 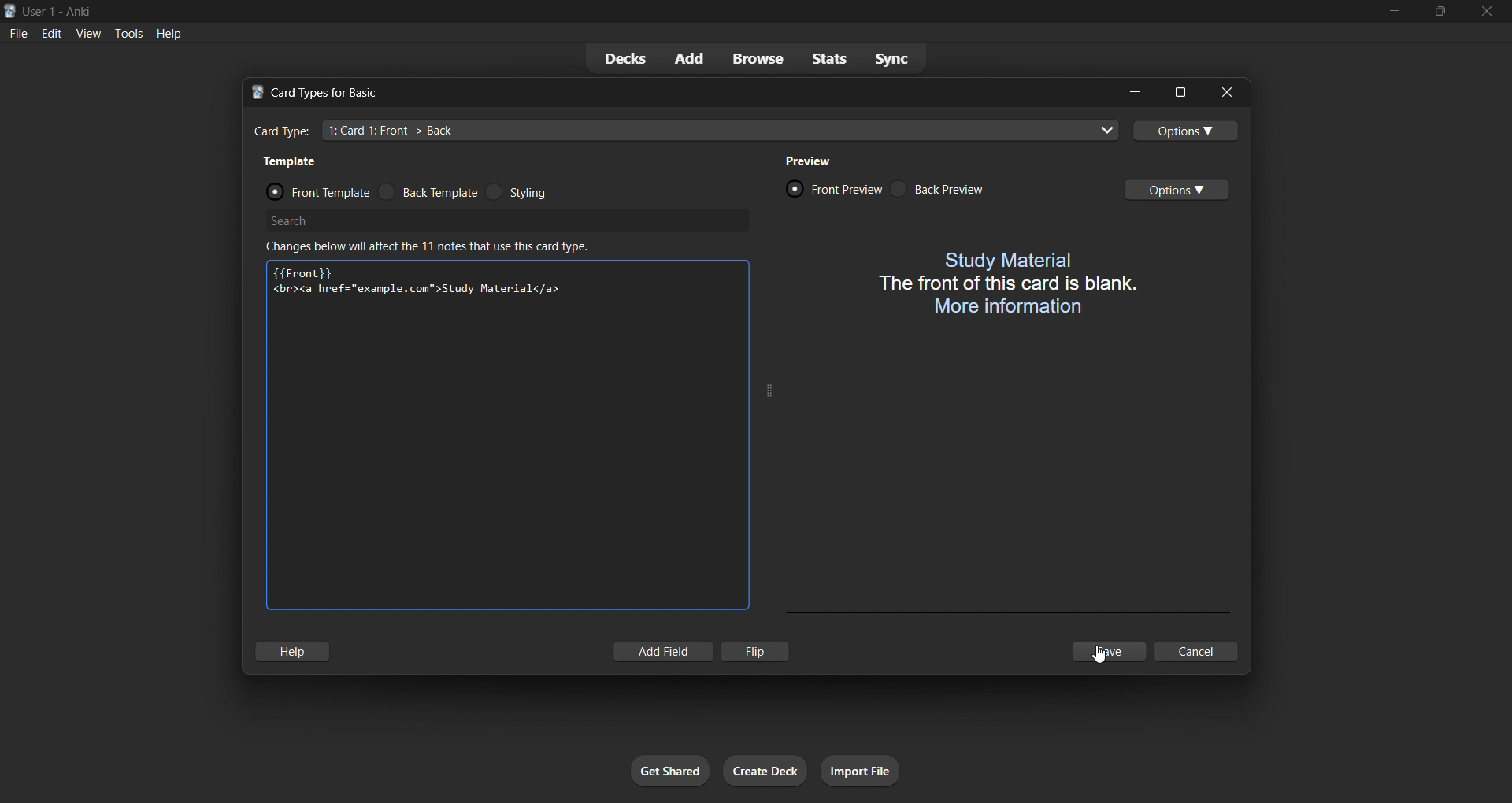 What do you see at coordinates (661, 652) in the screenshot?
I see `add field` at bounding box center [661, 652].